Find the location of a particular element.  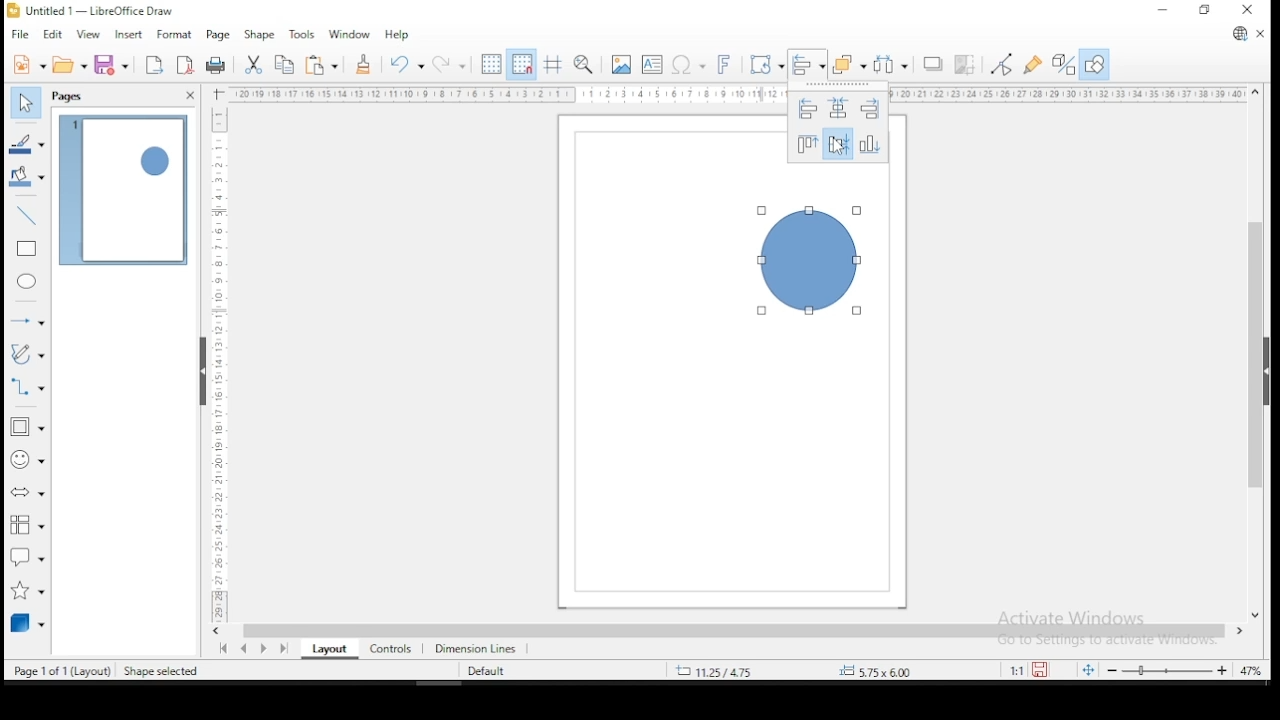

scroll bar is located at coordinates (1256, 352).